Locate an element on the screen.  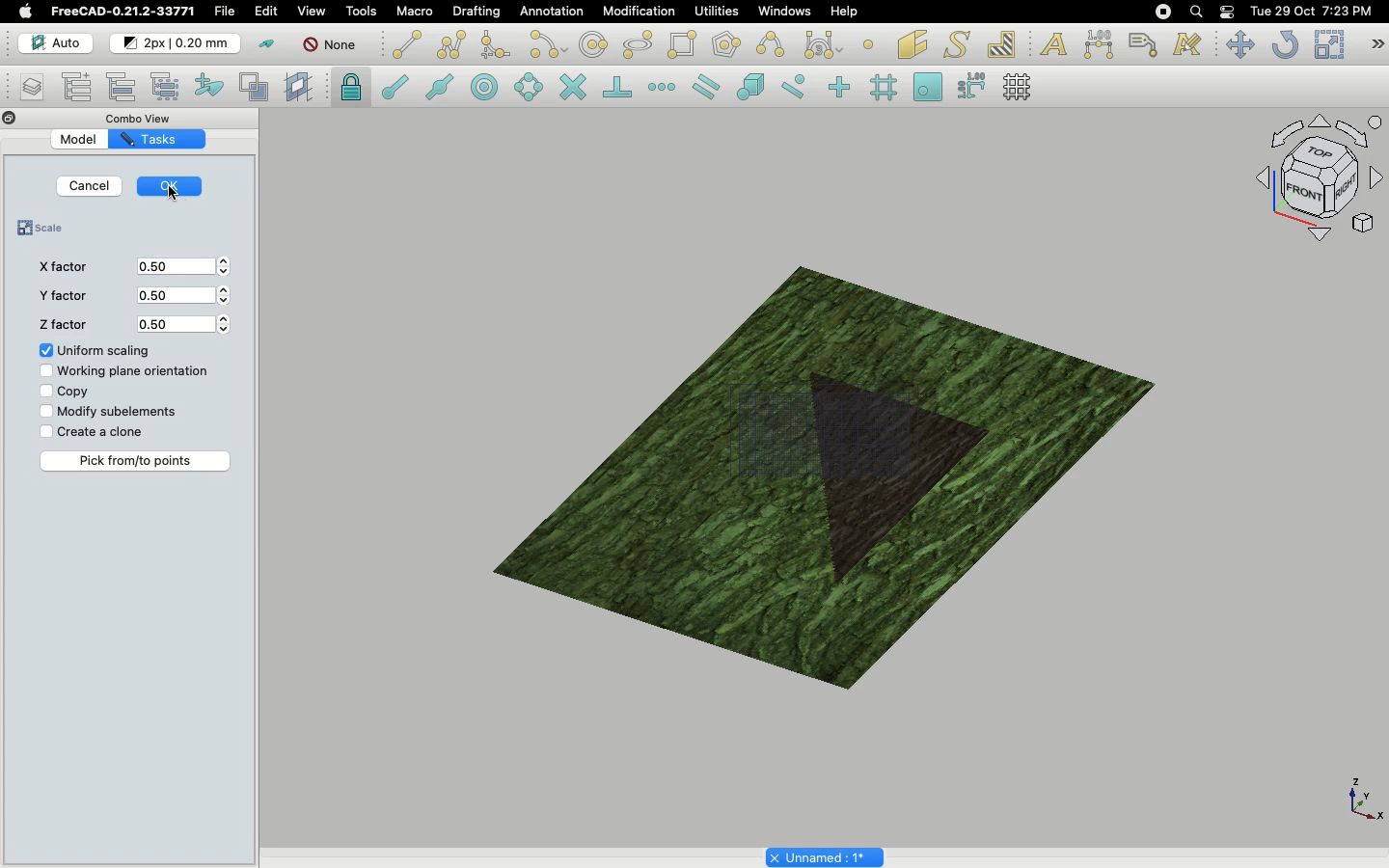
Snap special is located at coordinates (748, 85).